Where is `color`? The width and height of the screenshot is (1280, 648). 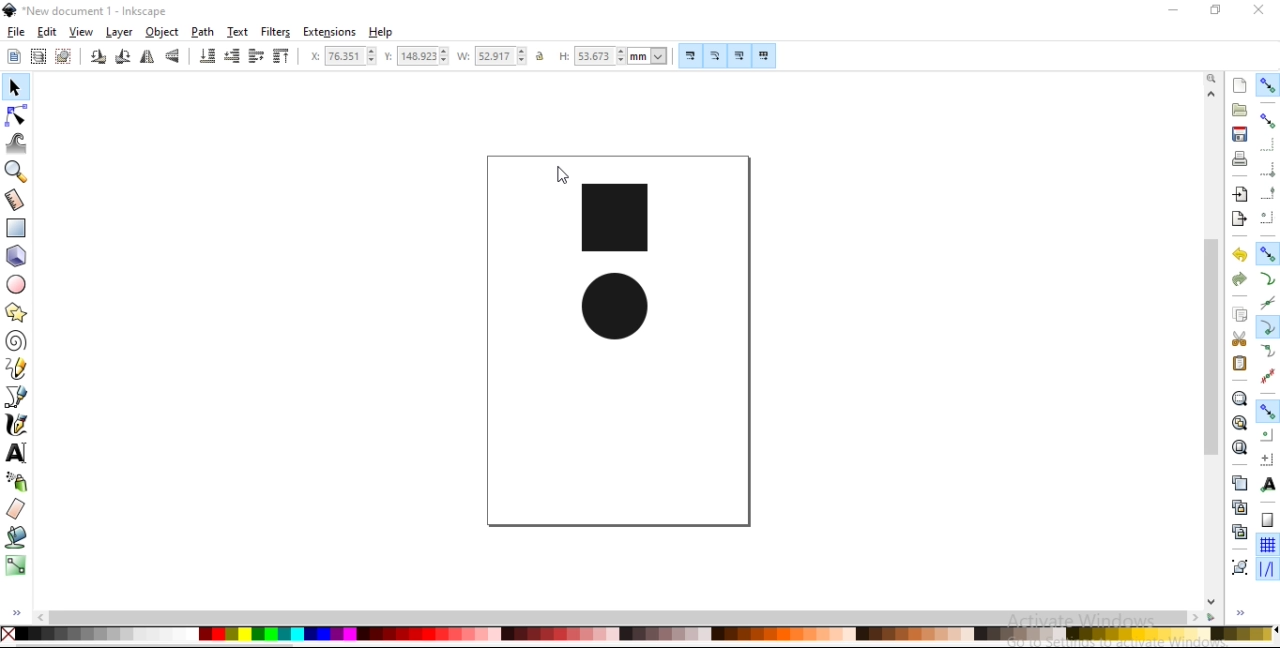
color is located at coordinates (639, 634).